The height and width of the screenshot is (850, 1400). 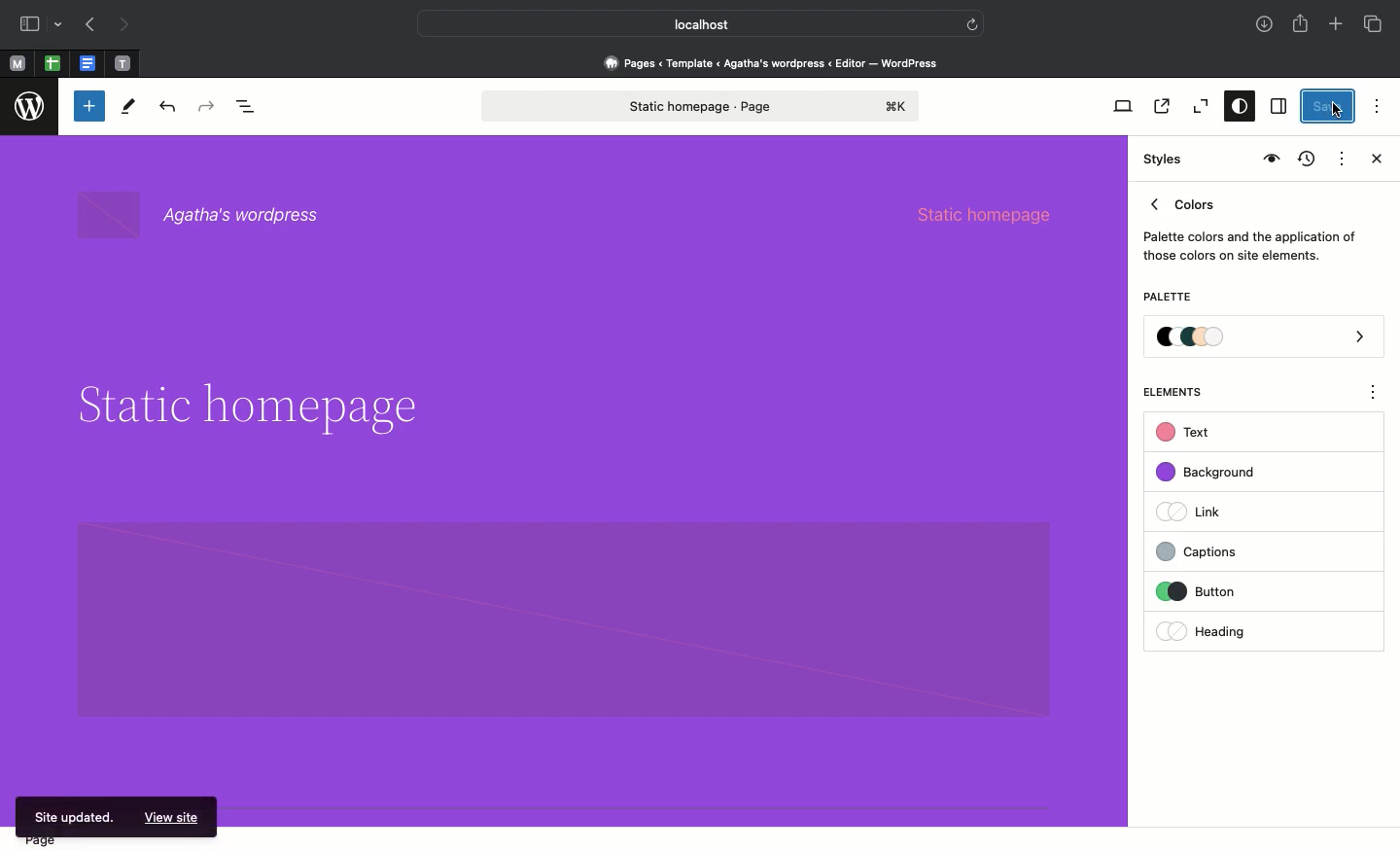 I want to click on Headings, so click(x=1230, y=629).